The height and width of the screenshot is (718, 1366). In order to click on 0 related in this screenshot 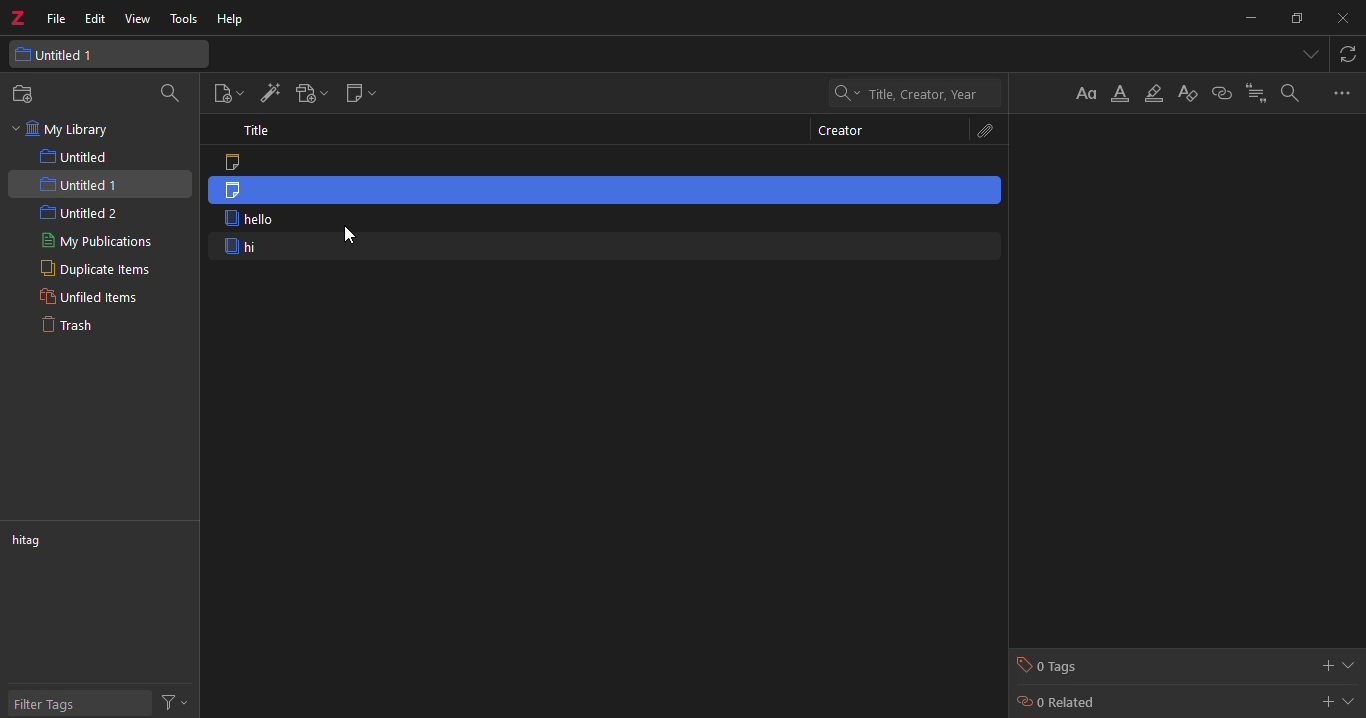, I will do `click(1053, 699)`.